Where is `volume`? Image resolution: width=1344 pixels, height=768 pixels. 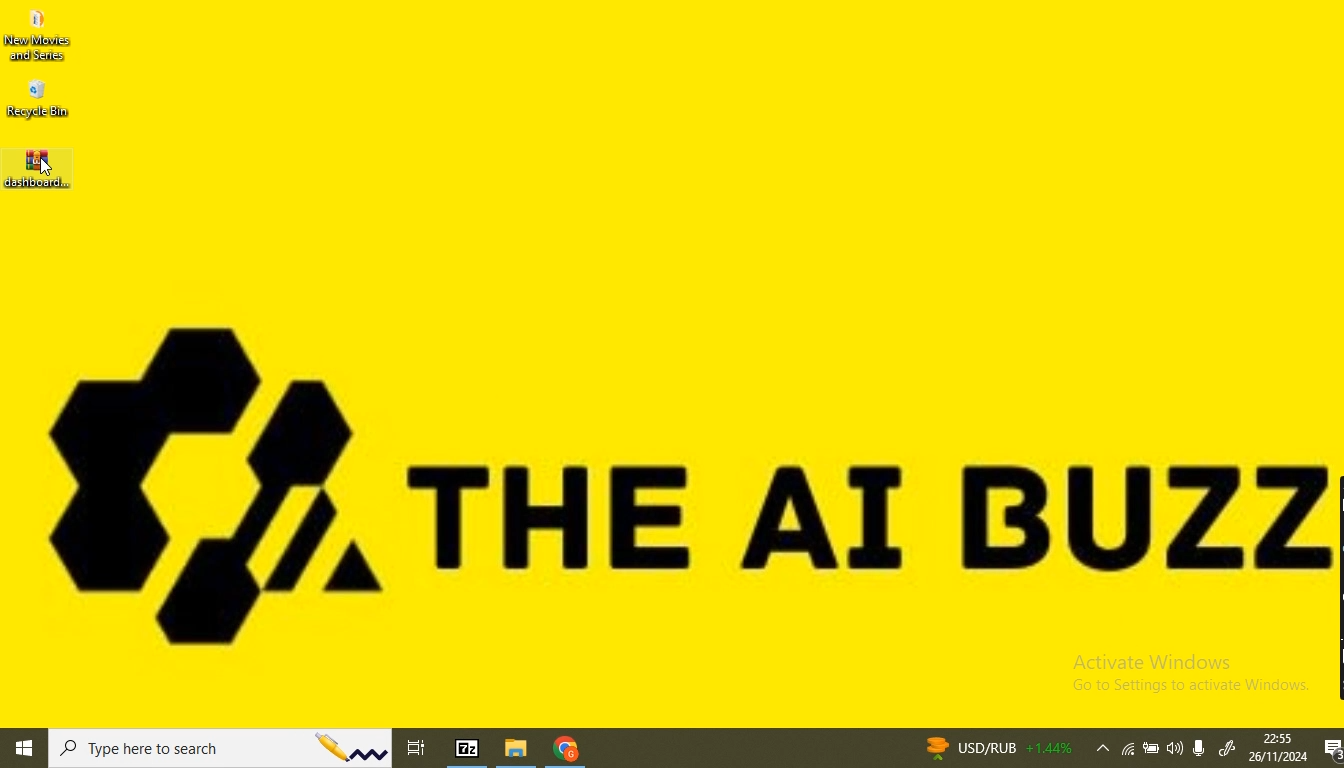
volume is located at coordinates (1176, 748).